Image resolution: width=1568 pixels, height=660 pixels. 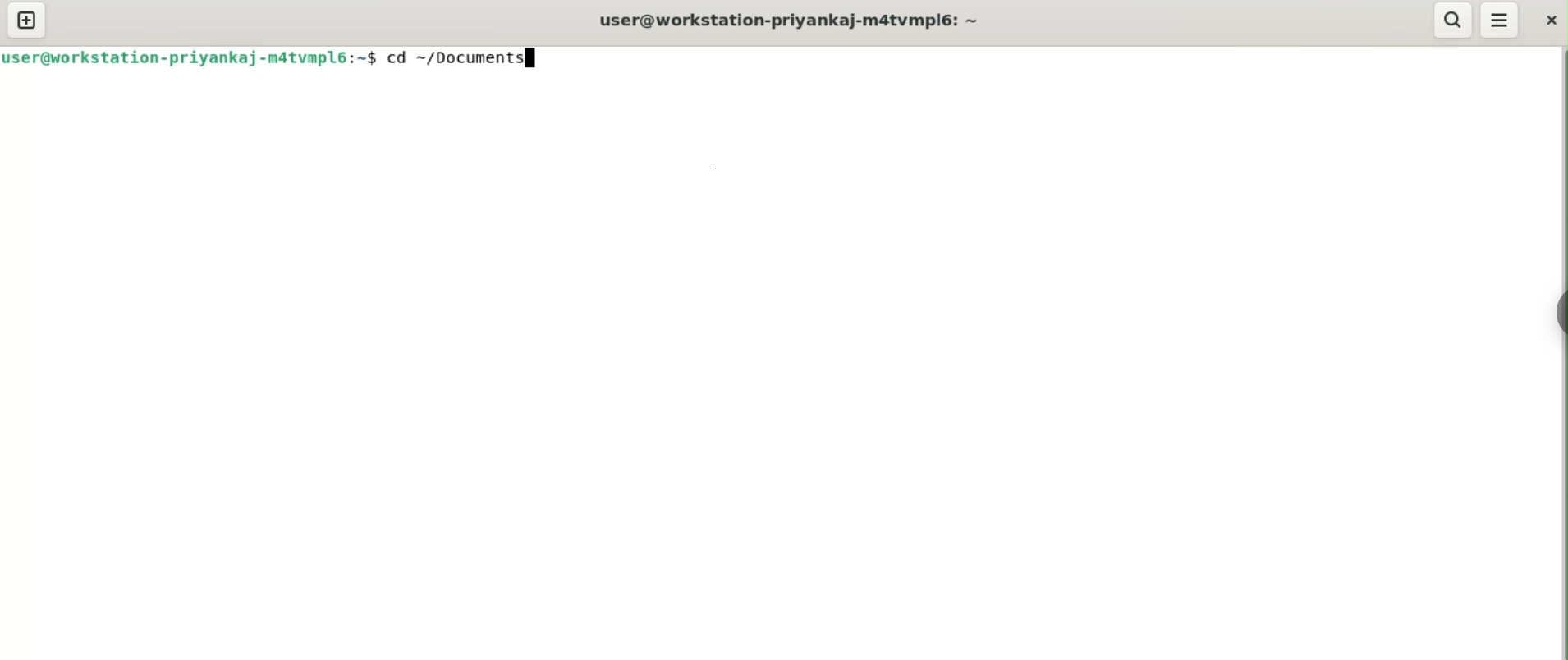 What do you see at coordinates (791, 20) in the screenshot?
I see `user@workstation-priyankaj-m4tvmpl6: ~` at bounding box center [791, 20].